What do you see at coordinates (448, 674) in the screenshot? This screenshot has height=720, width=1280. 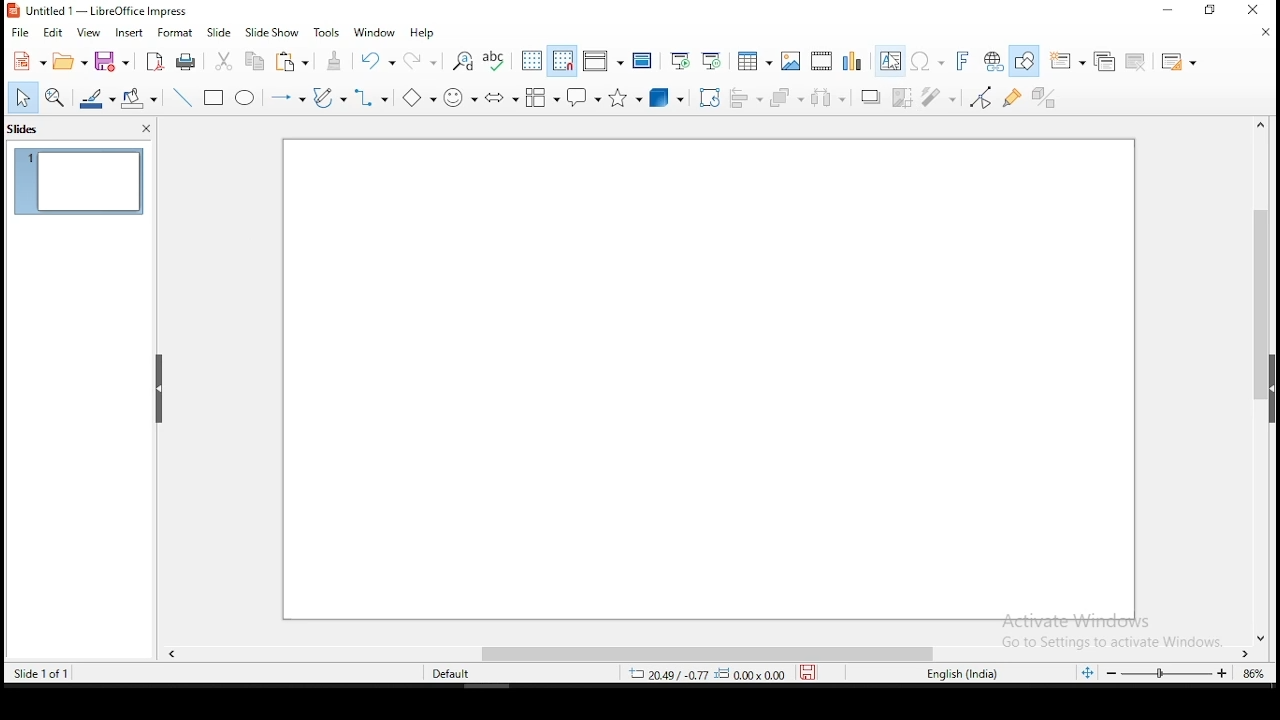 I see `default` at bounding box center [448, 674].